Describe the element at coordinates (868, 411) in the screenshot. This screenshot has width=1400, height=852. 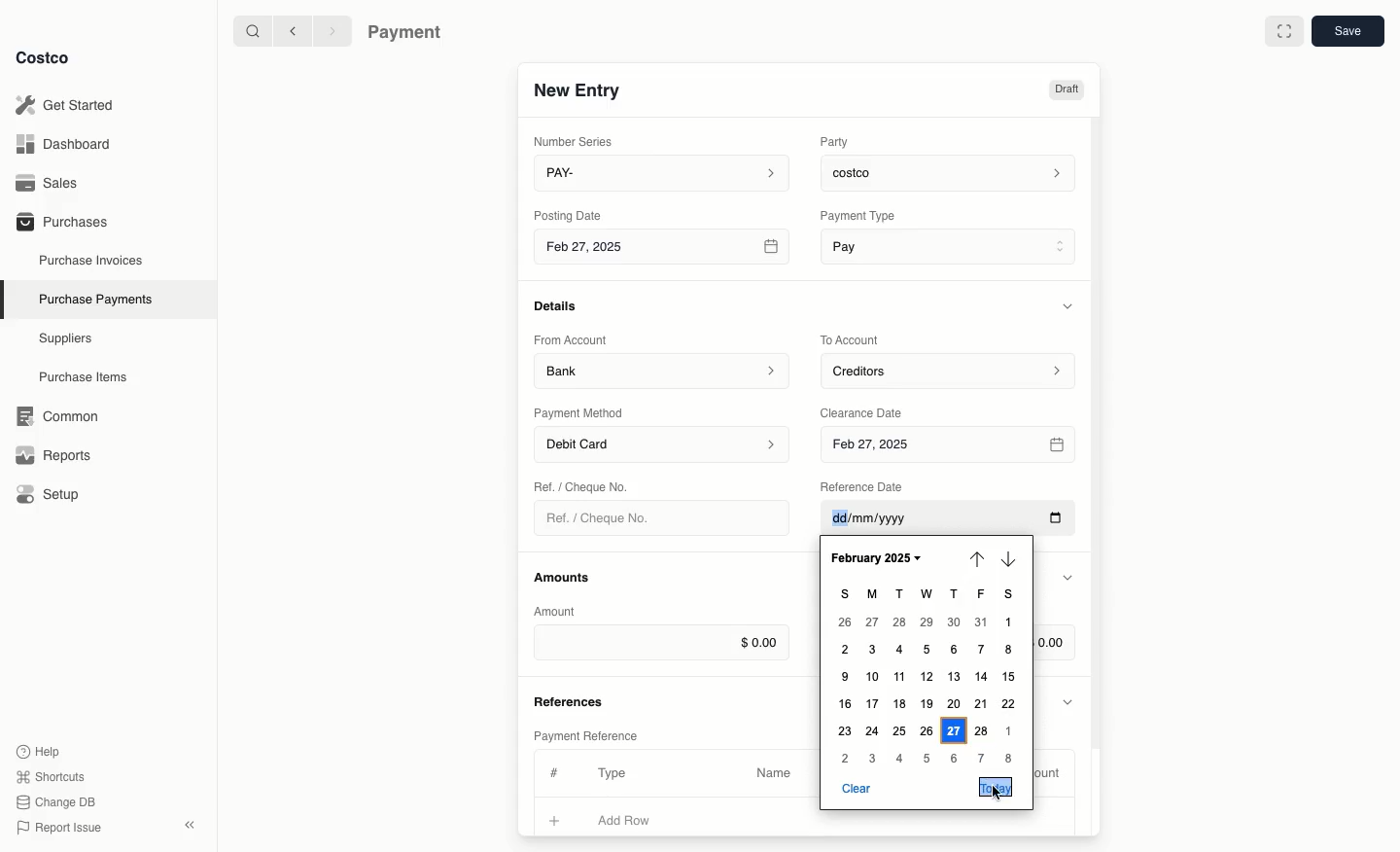
I see `Clearance Date` at that location.